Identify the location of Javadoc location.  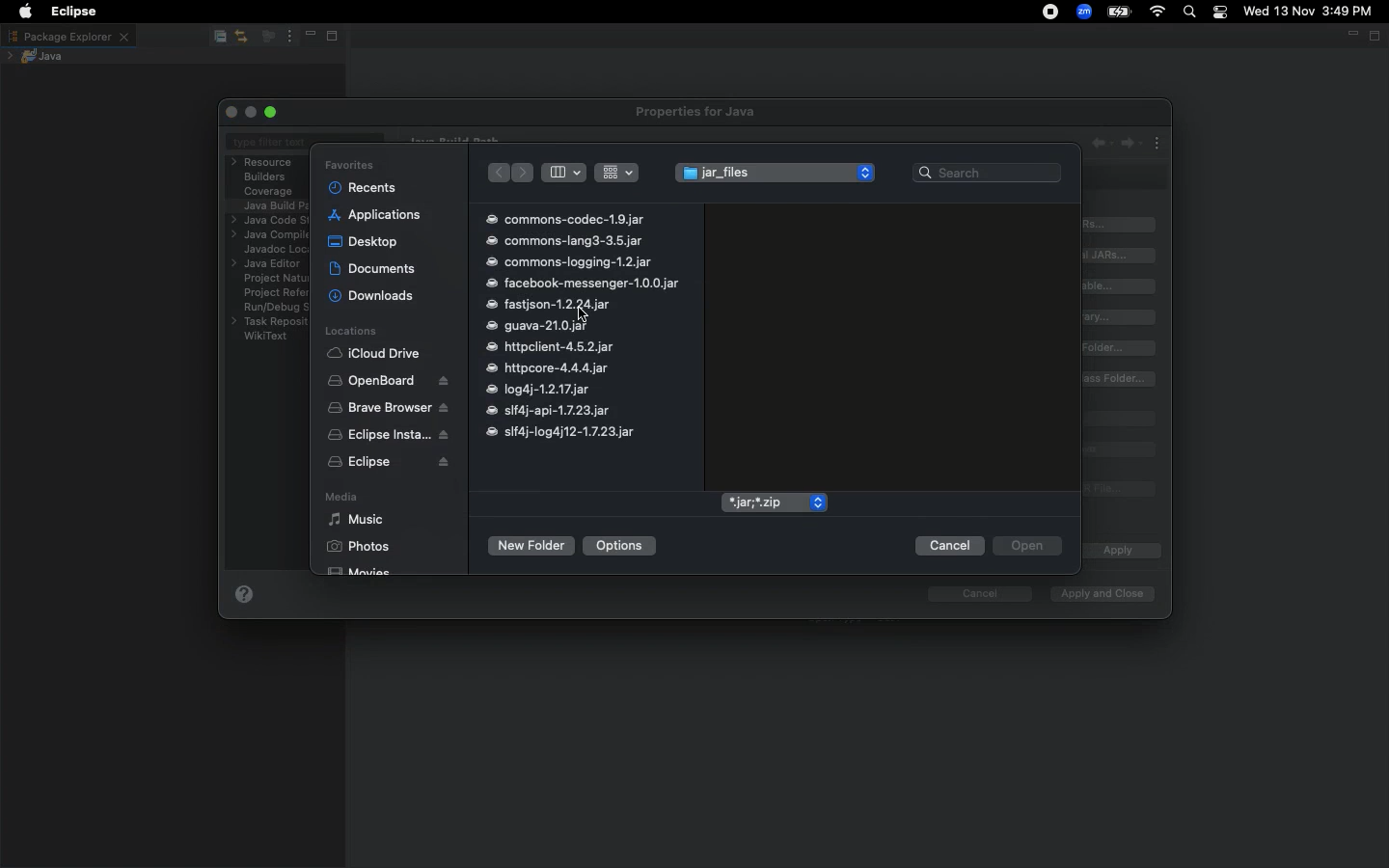
(273, 250).